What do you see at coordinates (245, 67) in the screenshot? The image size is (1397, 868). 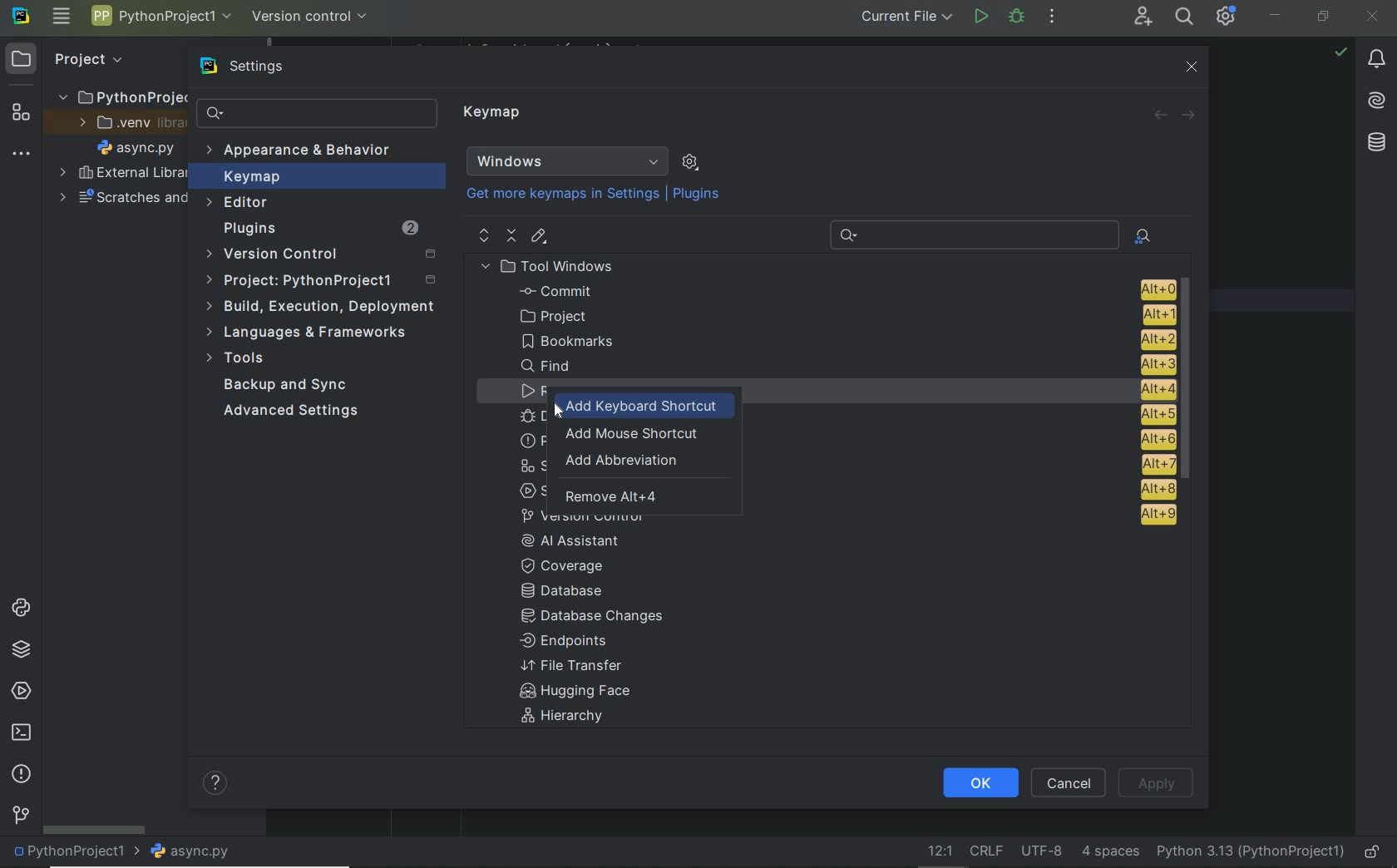 I see `settings` at bounding box center [245, 67].